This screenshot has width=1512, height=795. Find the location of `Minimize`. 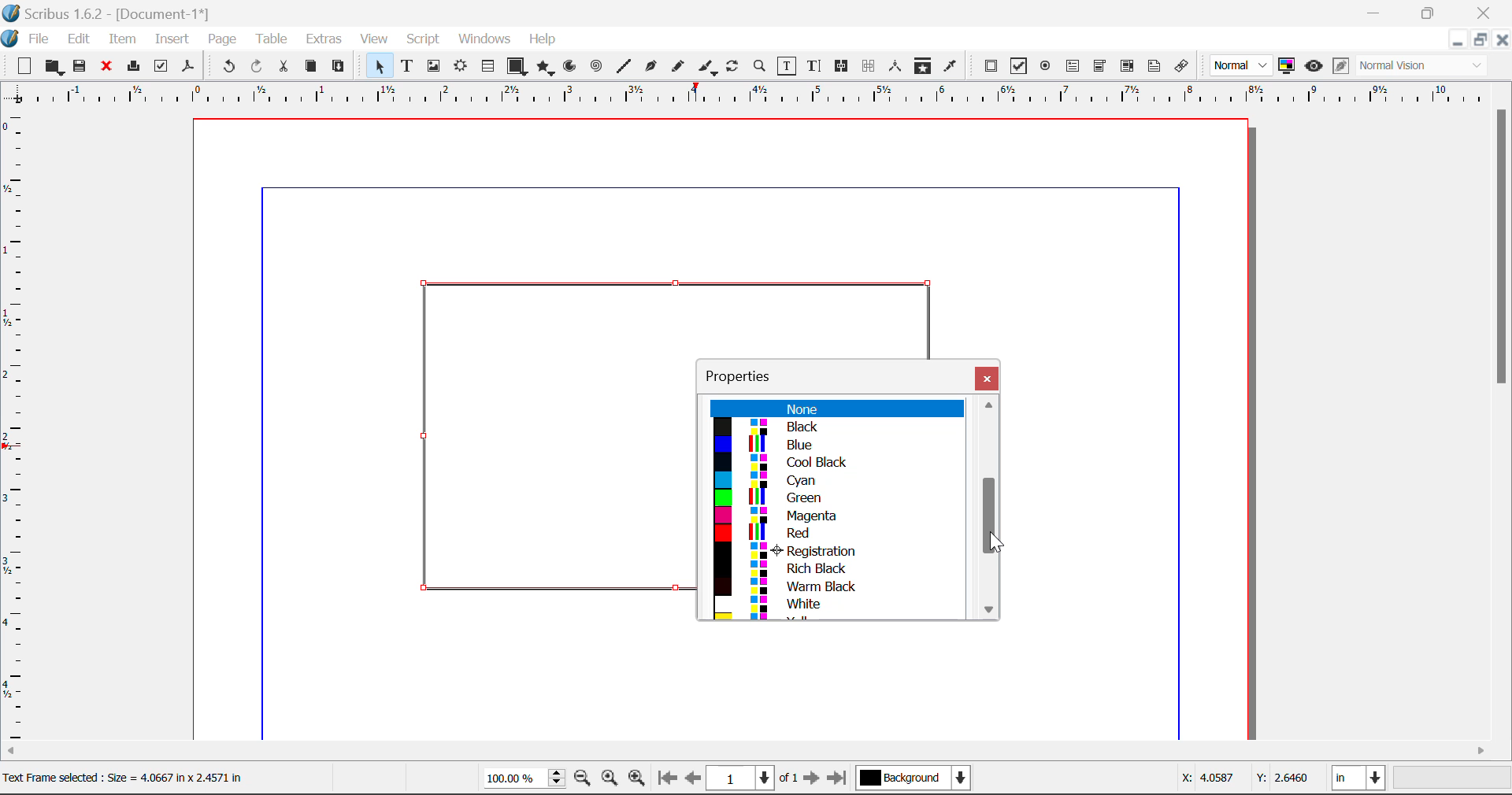

Minimize is located at coordinates (1480, 39).